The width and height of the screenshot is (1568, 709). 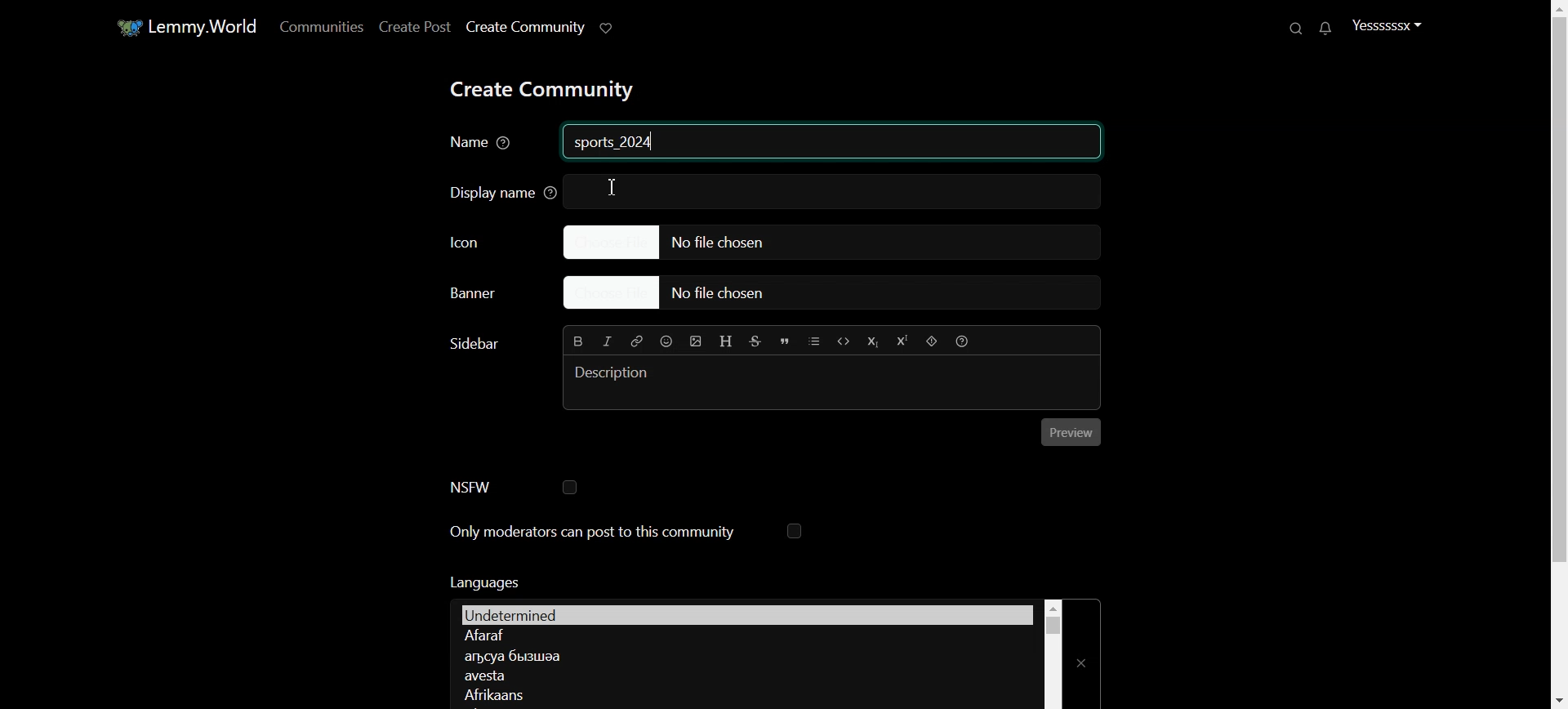 What do you see at coordinates (612, 188) in the screenshot?
I see `Text Cursor` at bounding box center [612, 188].